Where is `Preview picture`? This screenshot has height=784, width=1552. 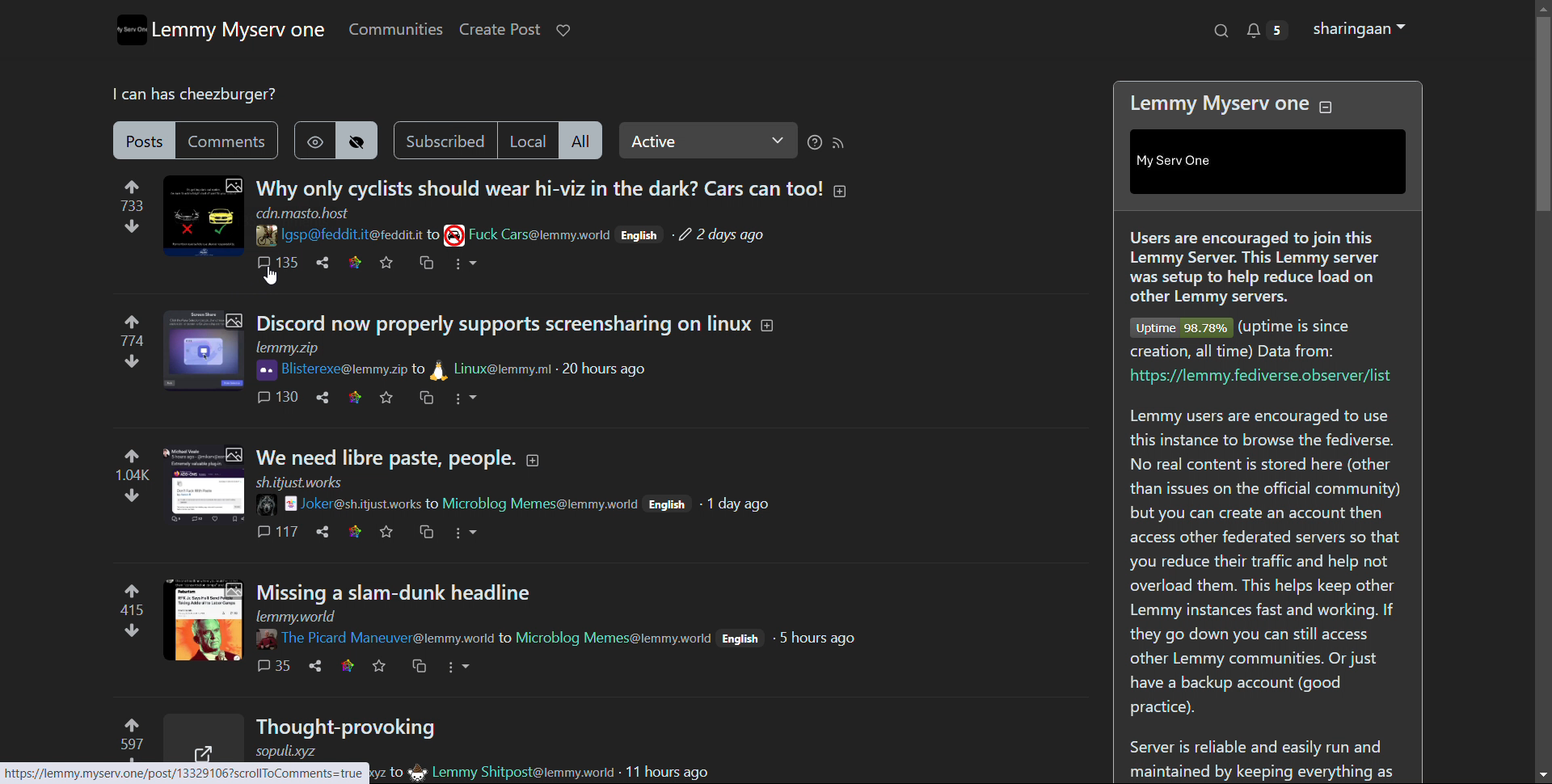 Preview picture is located at coordinates (203, 736).